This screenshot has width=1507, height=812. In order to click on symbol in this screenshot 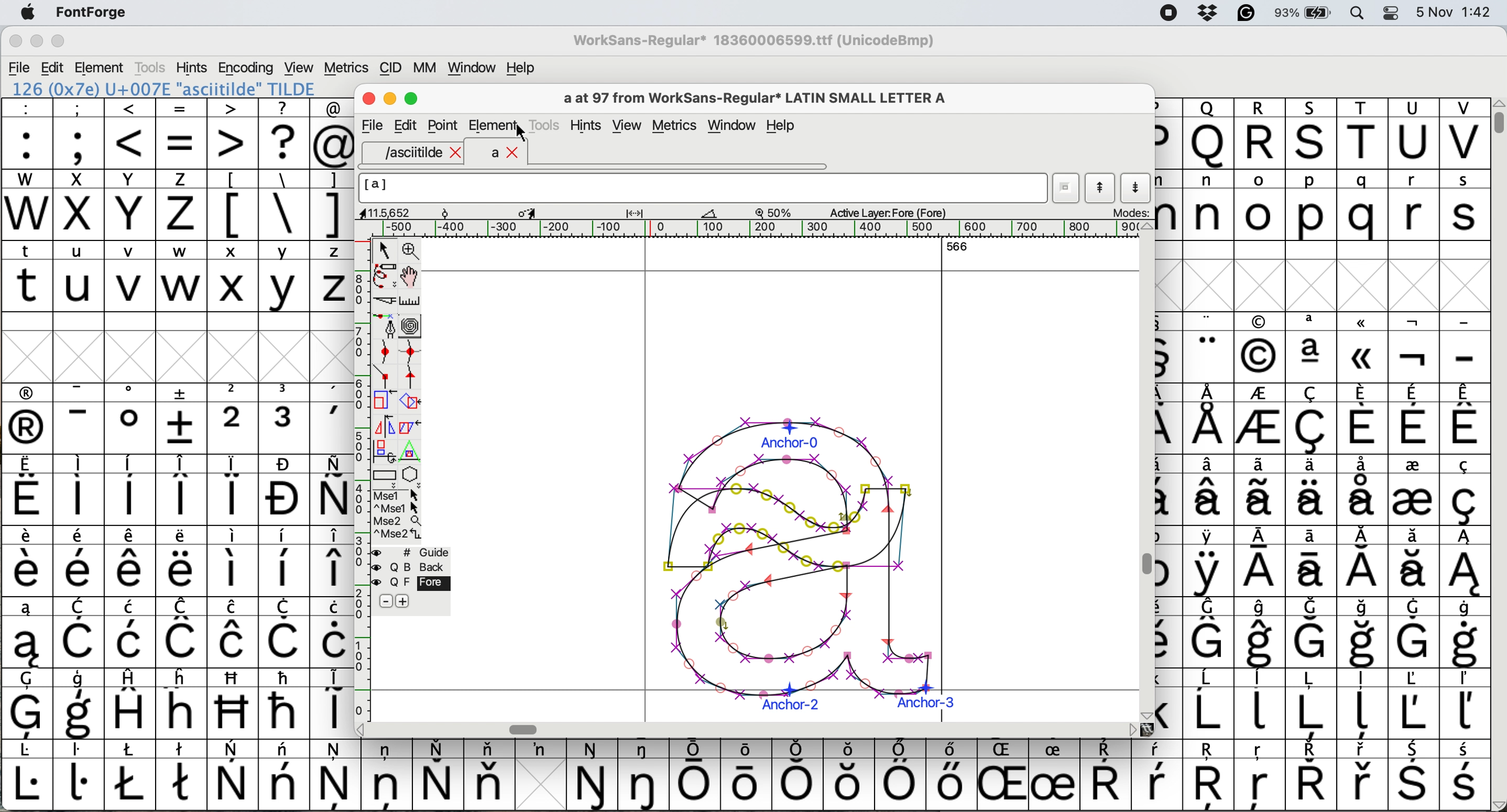, I will do `click(387, 773)`.